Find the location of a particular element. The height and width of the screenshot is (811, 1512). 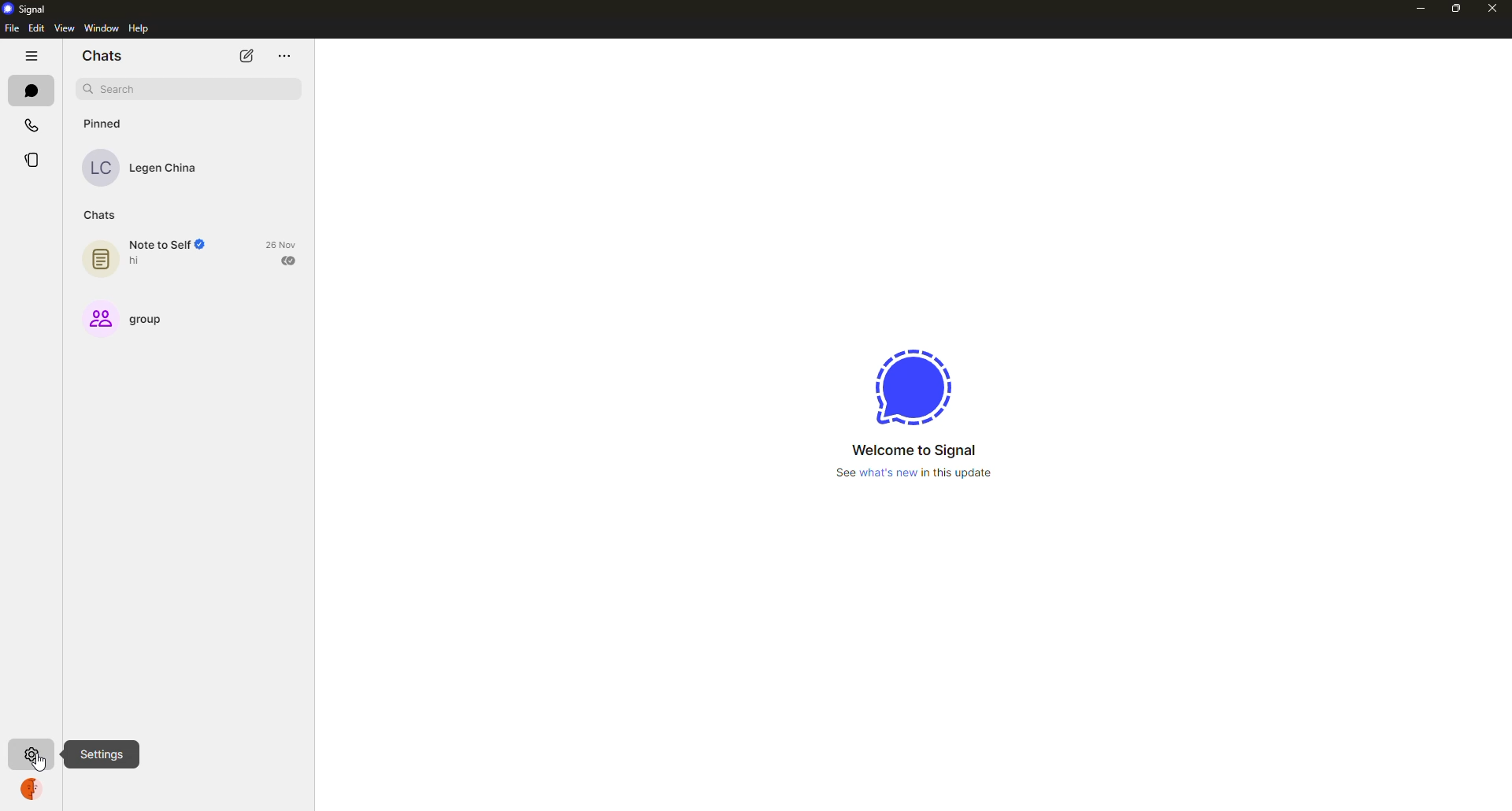

view is located at coordinates (69, 29).